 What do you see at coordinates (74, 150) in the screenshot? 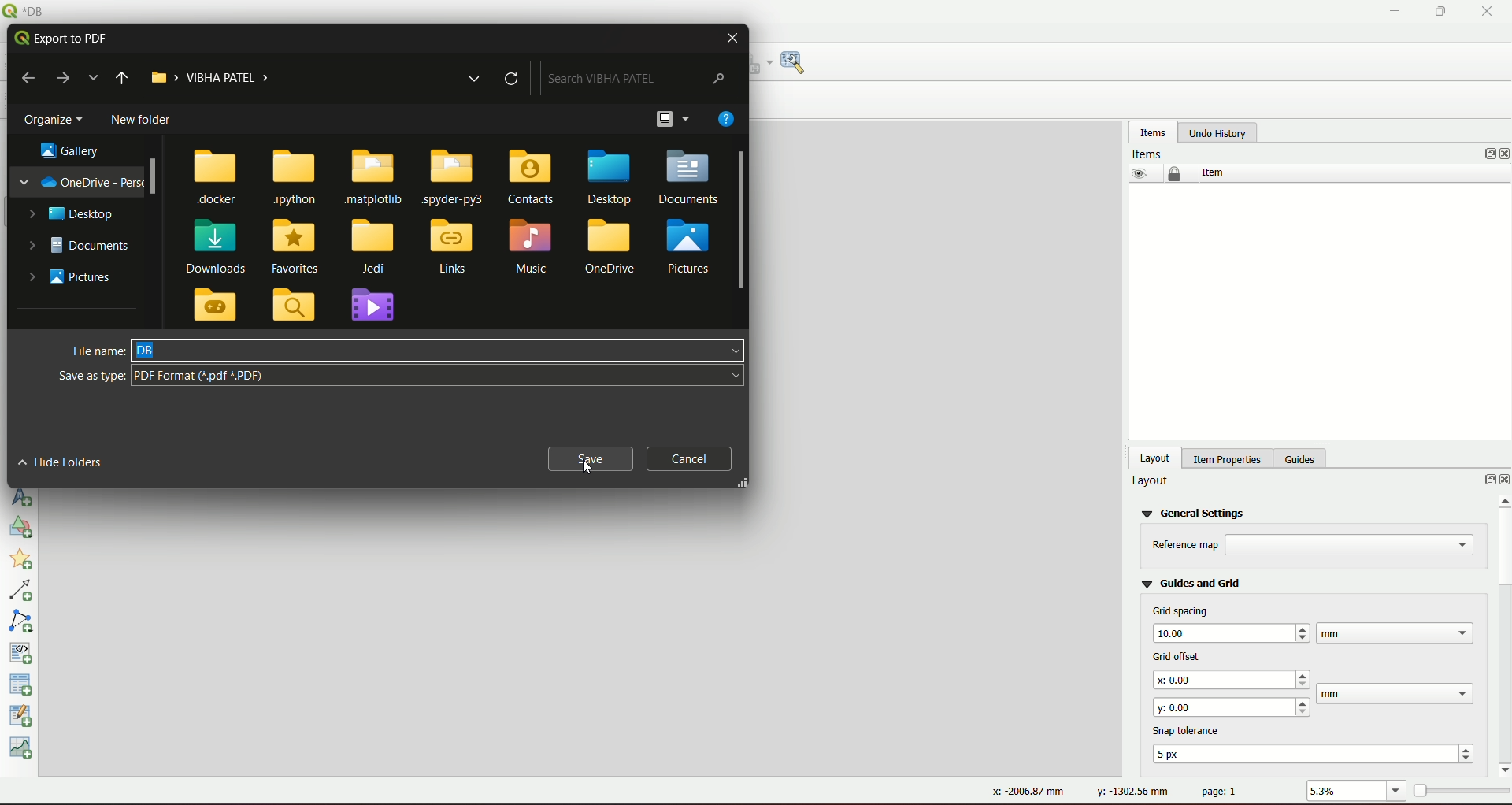
I see `gallery` at bounding box center [74, 150].